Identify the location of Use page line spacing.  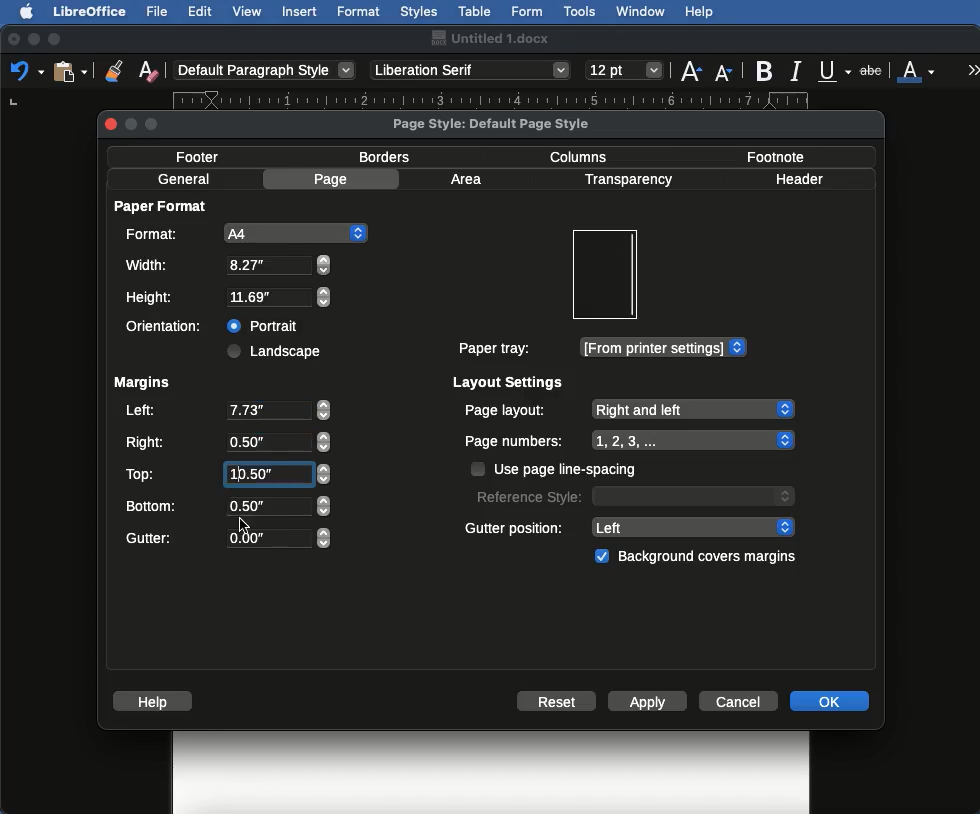
(556, 469).